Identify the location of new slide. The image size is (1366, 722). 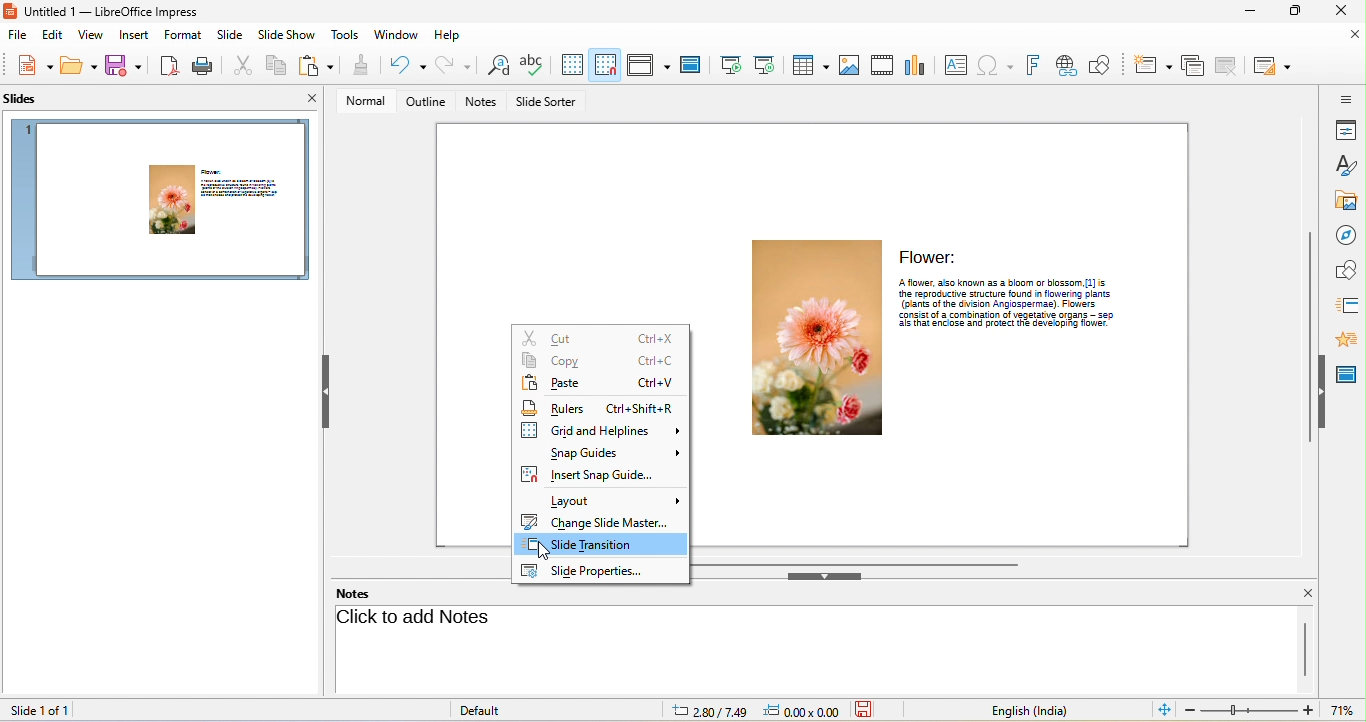
(1149, 64).